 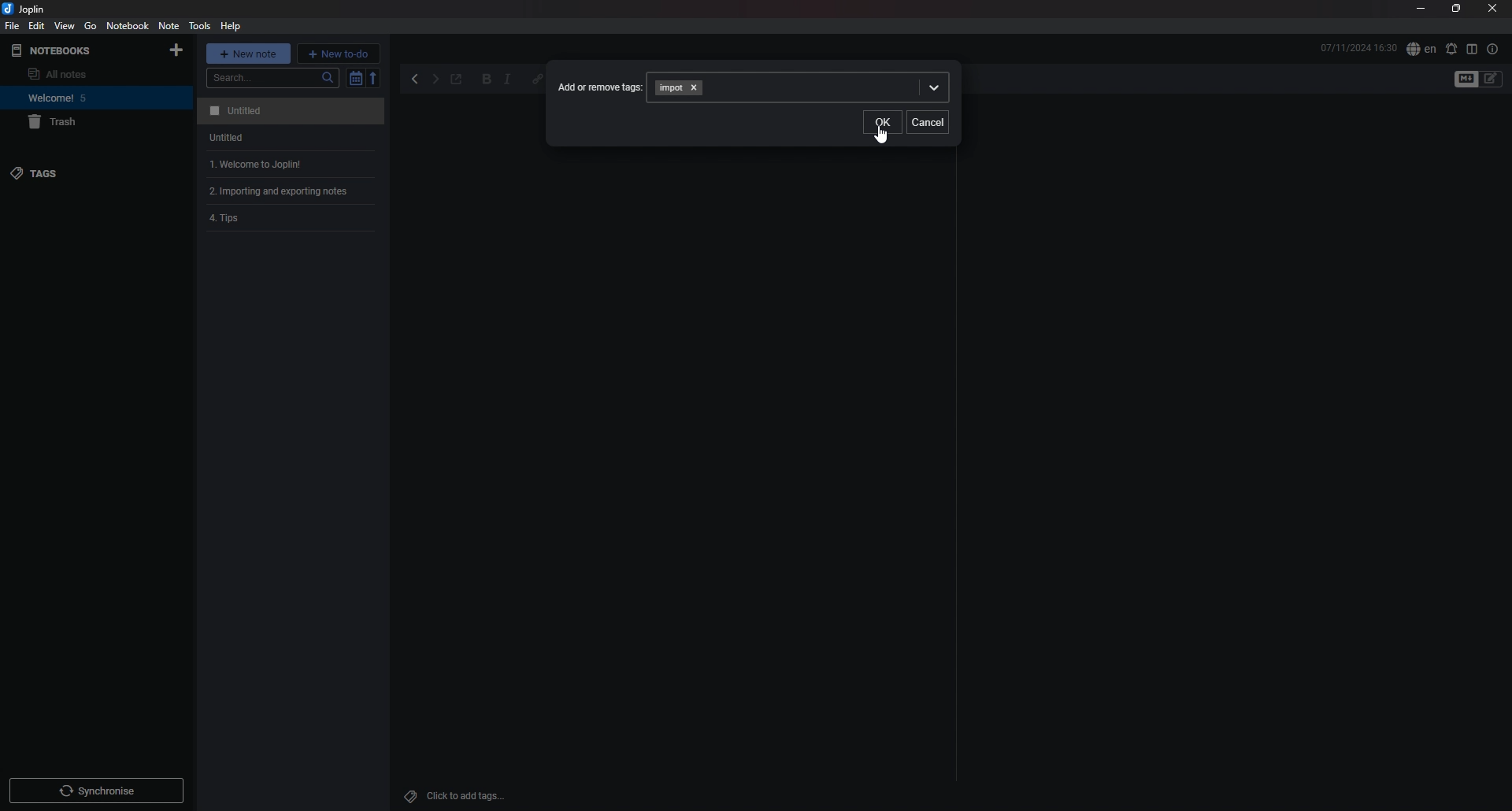 What do you see at coordinates (435, 81) in the screenshot?
I see `forward` at bounding box center [435, 81].